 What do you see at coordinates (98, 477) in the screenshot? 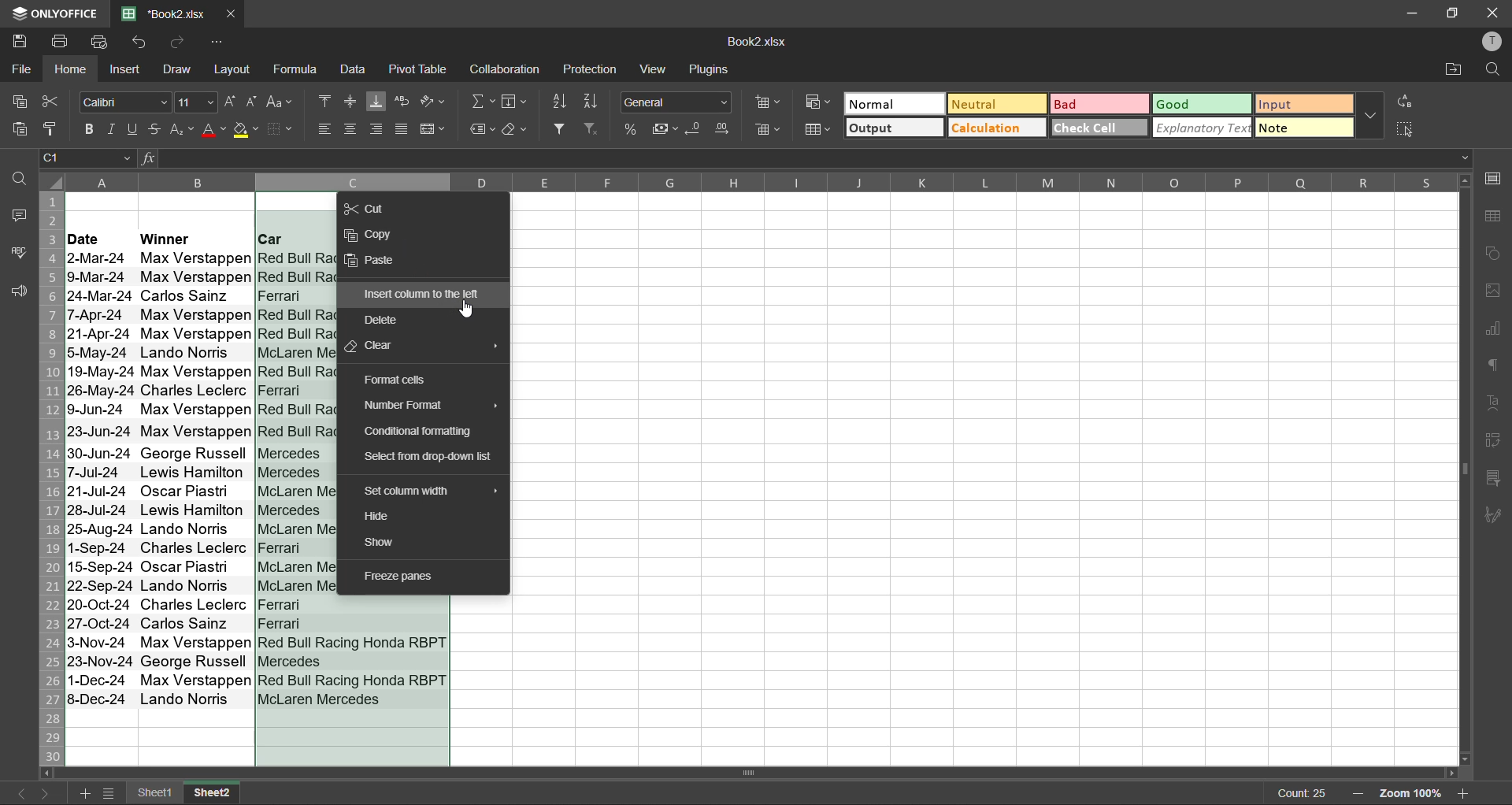
I see `2-Mar-24
9-Mar-24
24-Mar-24
7-Apr-24
21-Apr-24
5-May-24
19-May-24
26-May-24
9-Jun-24
23-Jun-24
30-Jun-24
7-Jul-24
21-Jul-24
28-Jul-24
25-Aug-24
1-Sep-24
15-Sep-24
22-Sep-24
20-Oct-24
27-Oct-24
3-Nov-24
23-Nov-24
1-Dec-24
8.Dec-24` at bounding box center [98, 477].